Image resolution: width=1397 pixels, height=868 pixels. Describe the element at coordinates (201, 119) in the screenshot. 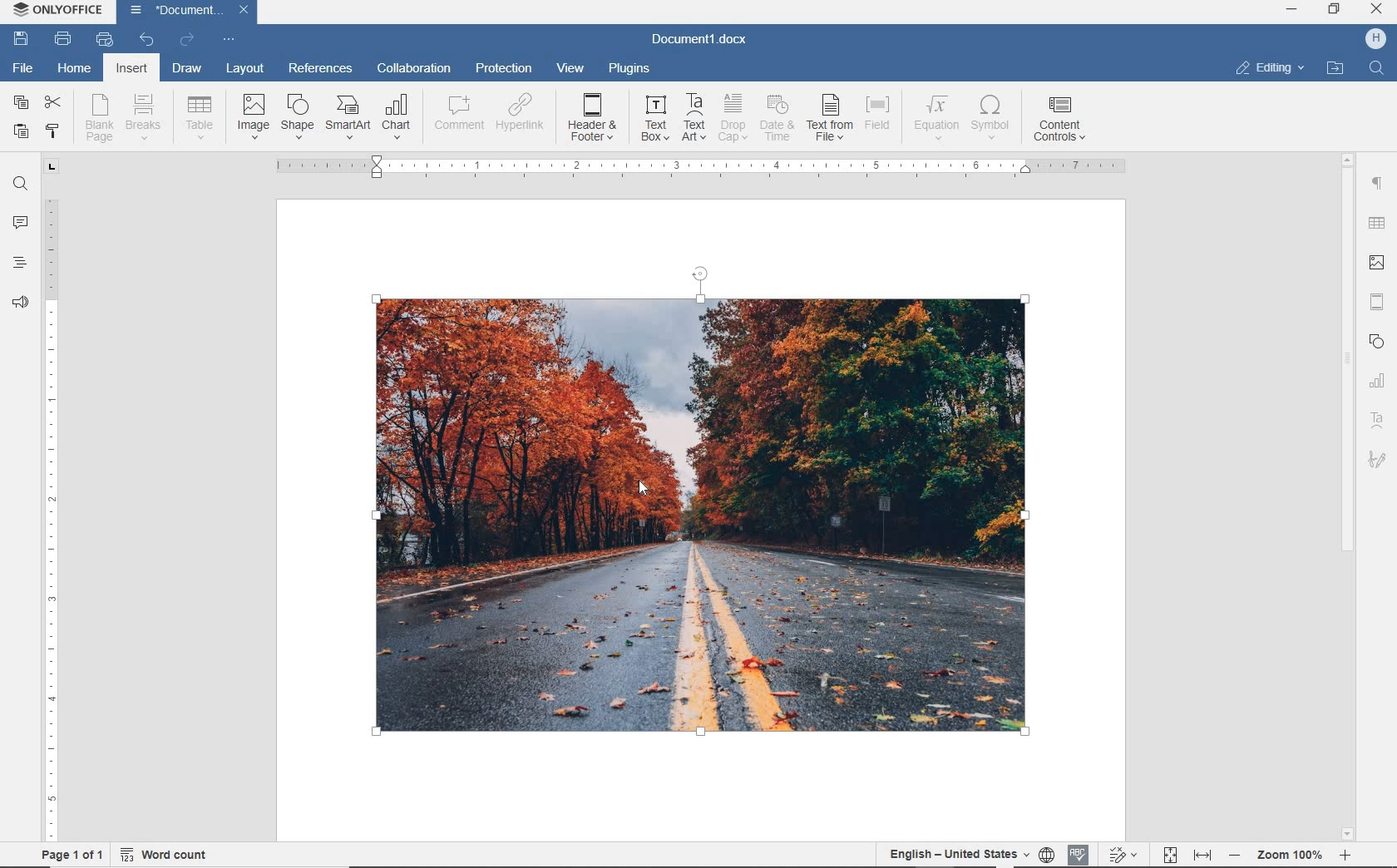

I see `table` at that location.